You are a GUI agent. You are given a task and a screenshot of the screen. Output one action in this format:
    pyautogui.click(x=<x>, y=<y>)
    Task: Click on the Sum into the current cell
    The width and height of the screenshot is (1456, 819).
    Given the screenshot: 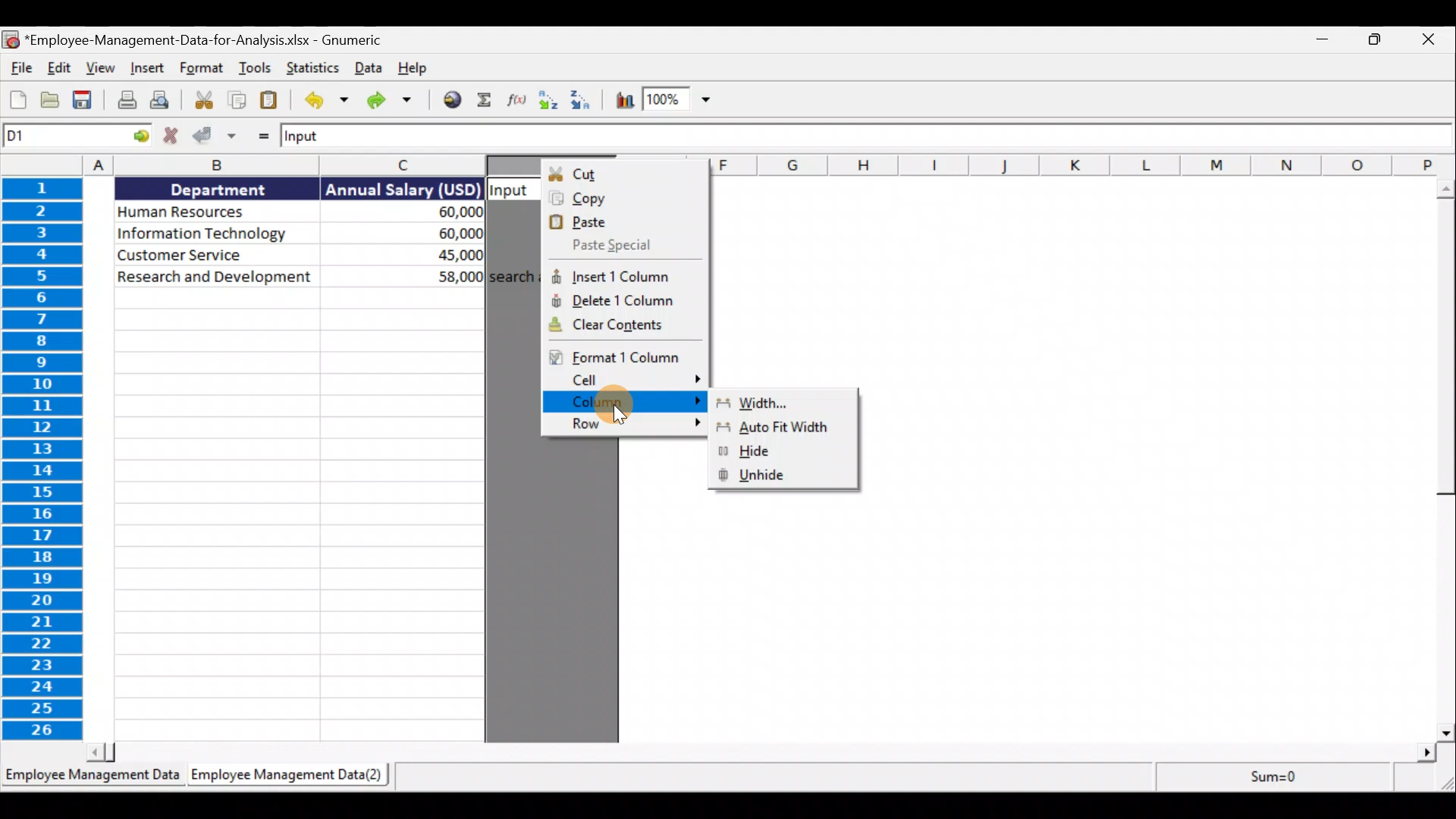 What is the action you would take?
    pyautogui.click(x=484, y=102)
    